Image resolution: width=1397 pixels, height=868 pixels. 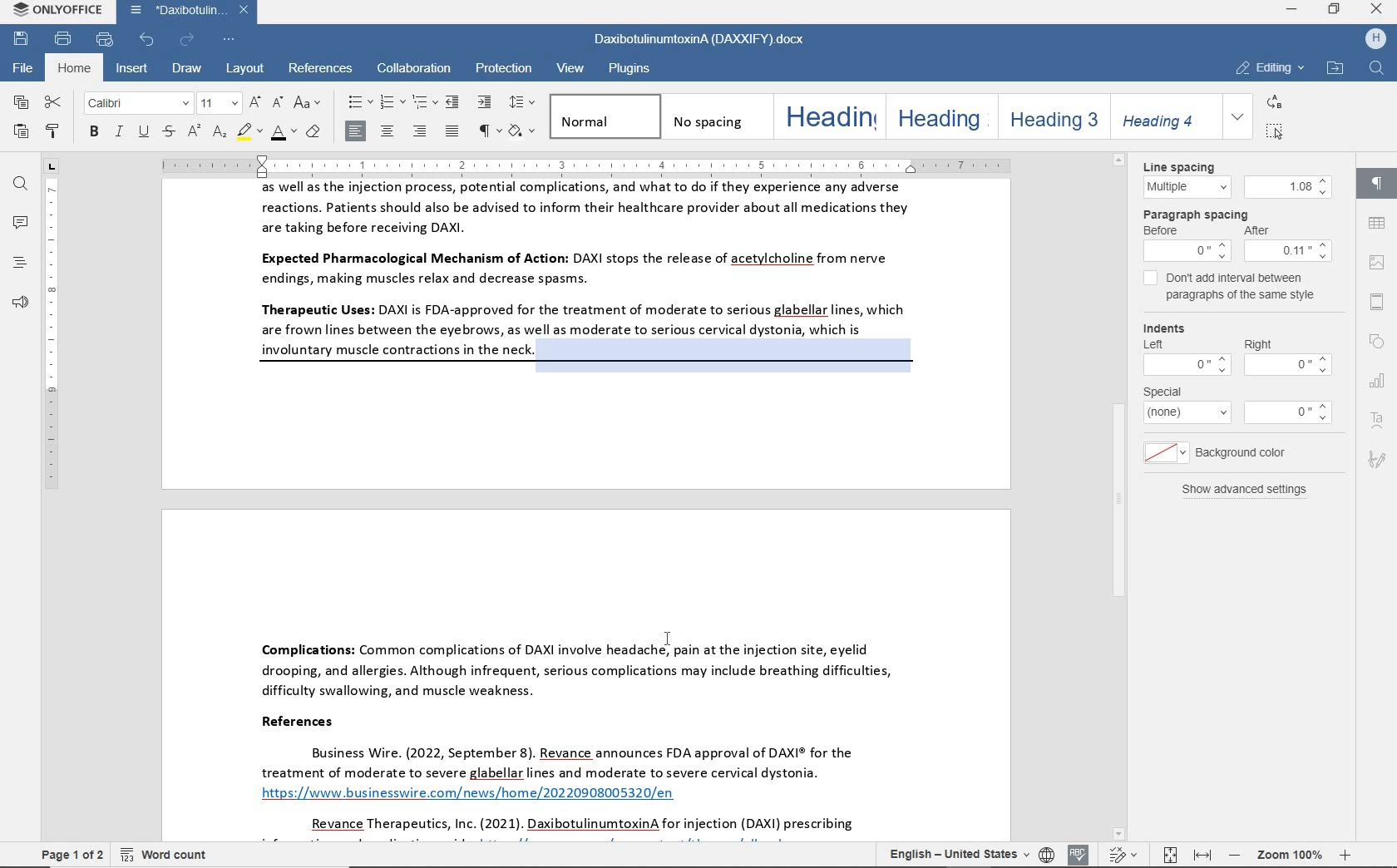 What do you see at coordinates (1377, 264) in the screenshot?
I see `image` at bounding box center [1377, 264].